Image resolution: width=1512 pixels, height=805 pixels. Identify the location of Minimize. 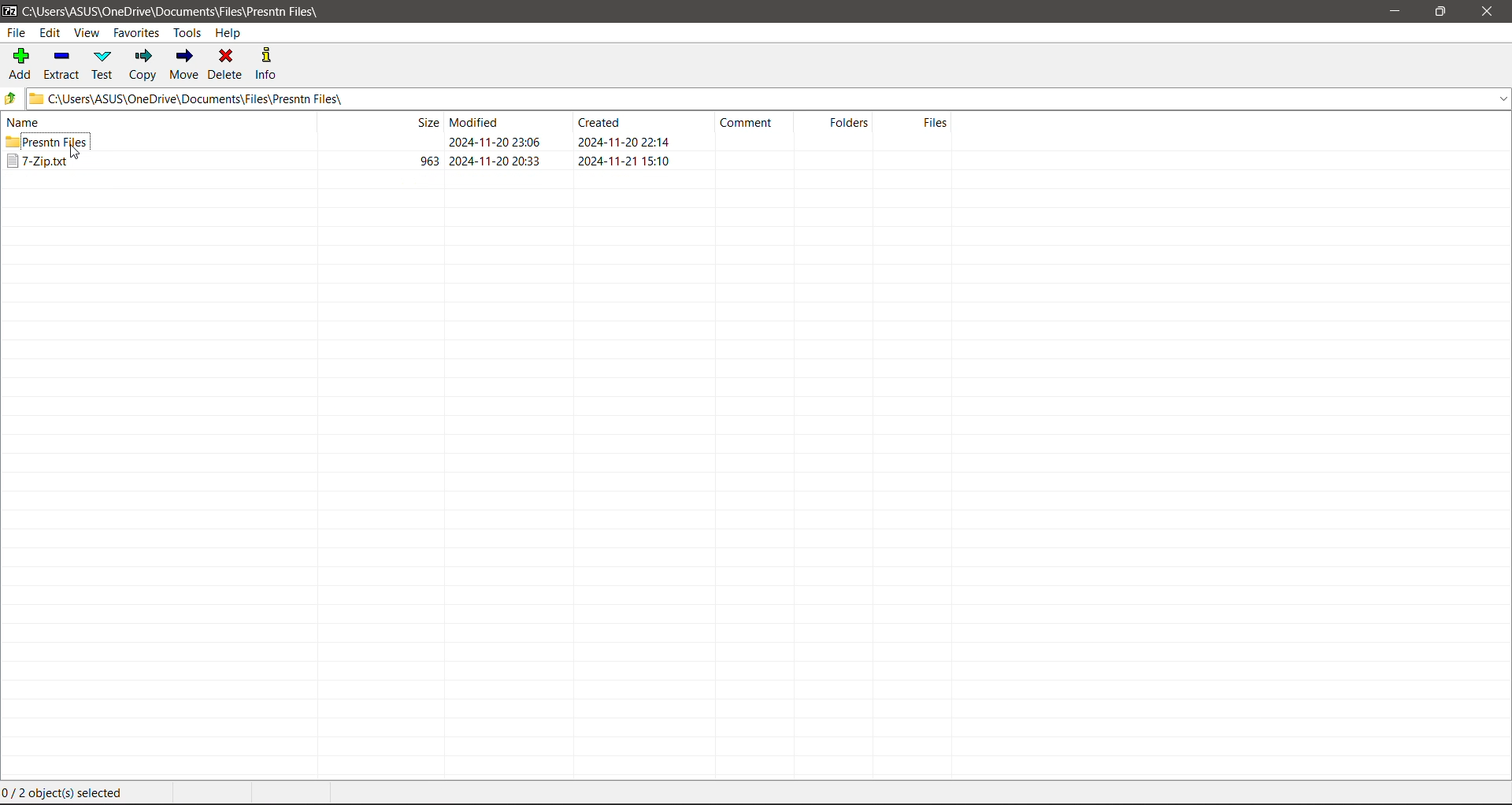
(1393, 11).